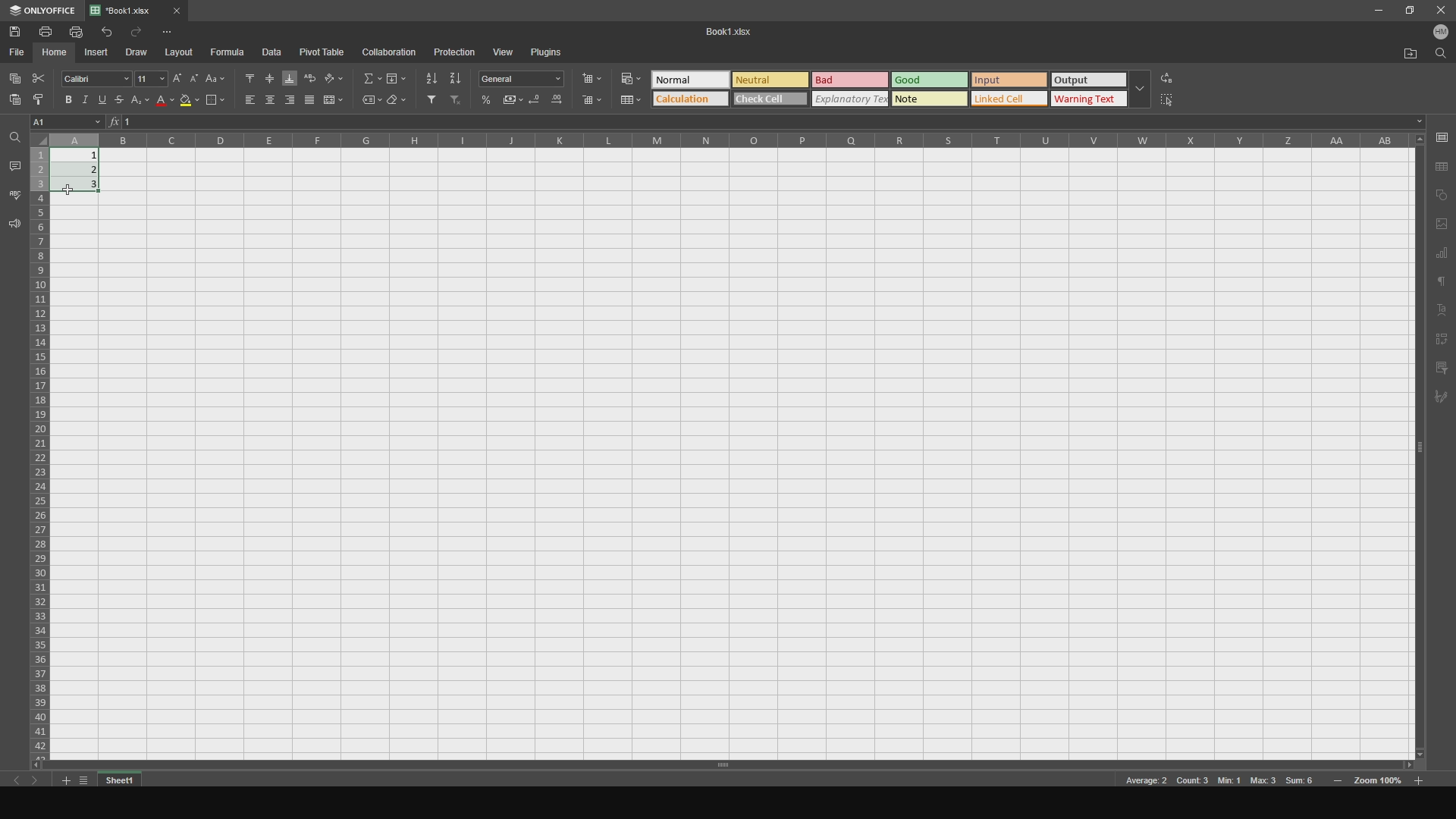 Image resolution: width=1456 pixels, height=819 pixels. Describe the element at coordinates (24, 783) in the screenshot. I see `previous sheet` at that location.